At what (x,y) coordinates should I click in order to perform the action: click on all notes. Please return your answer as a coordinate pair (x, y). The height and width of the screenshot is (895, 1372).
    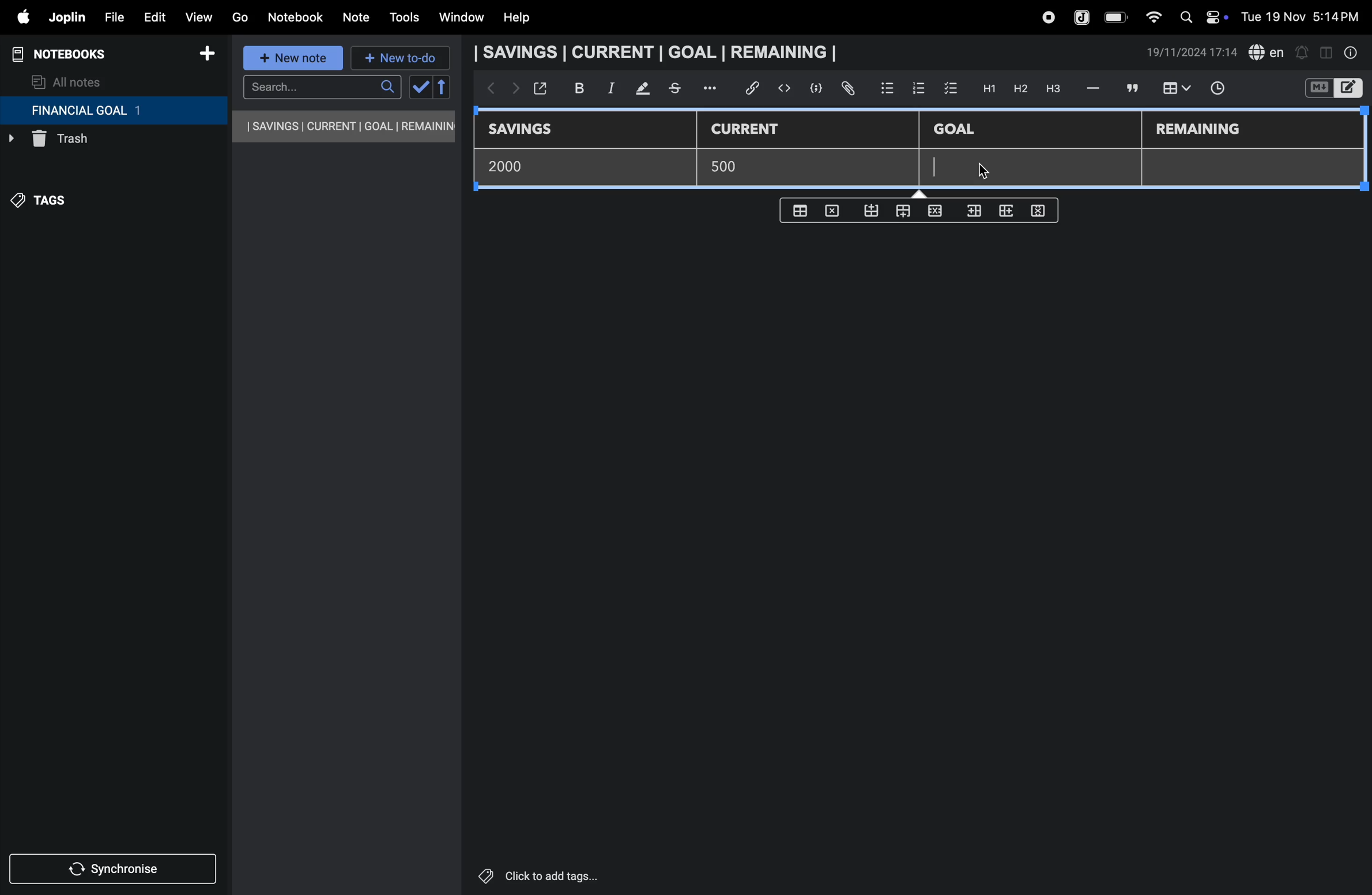
    Looking at the image, I should click on (67, 81).